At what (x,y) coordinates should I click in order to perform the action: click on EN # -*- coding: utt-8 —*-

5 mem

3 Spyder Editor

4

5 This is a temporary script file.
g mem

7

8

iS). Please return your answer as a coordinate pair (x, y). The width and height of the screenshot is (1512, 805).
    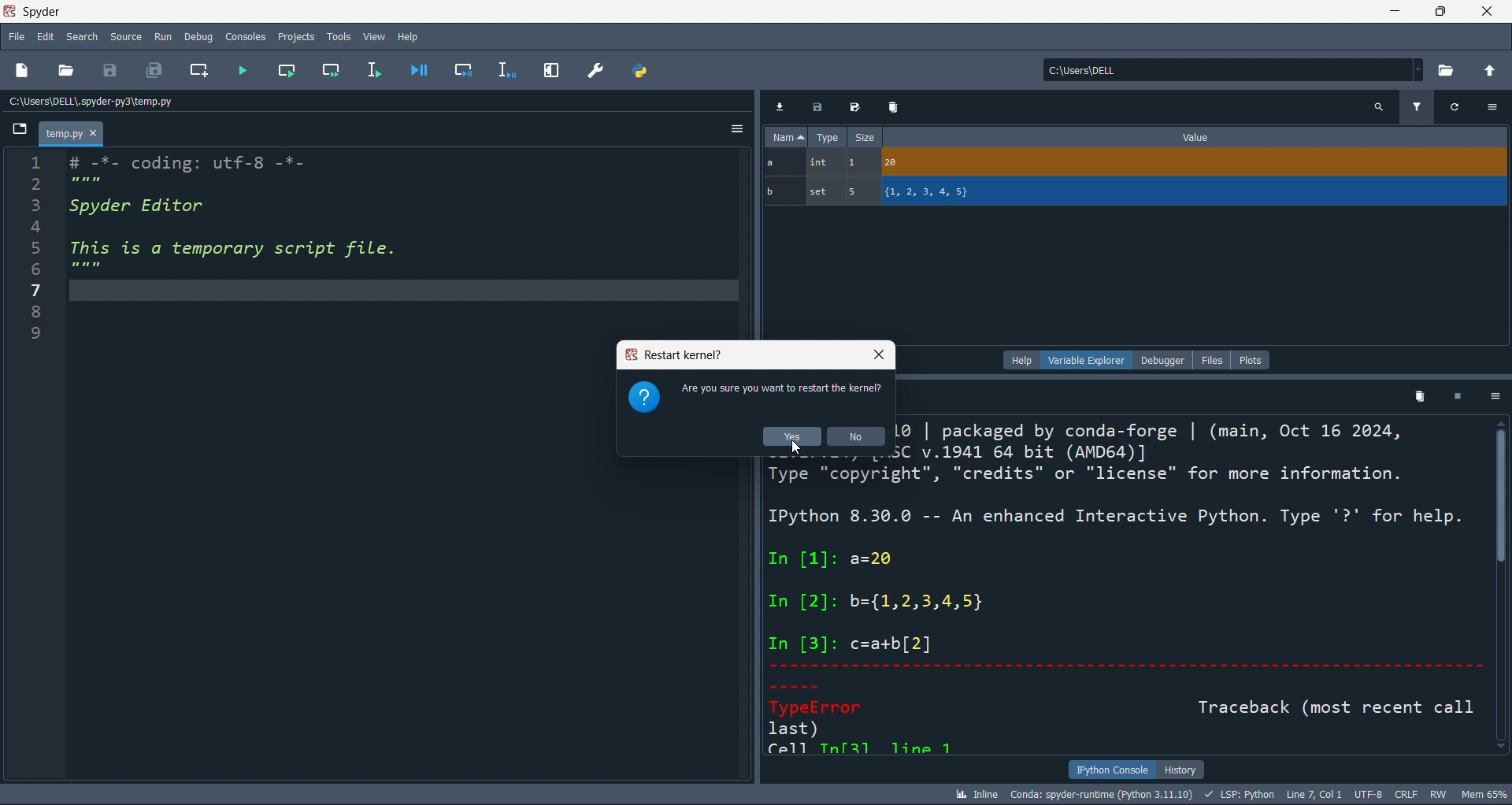
    Looking at the image, I should click on (224, 272).